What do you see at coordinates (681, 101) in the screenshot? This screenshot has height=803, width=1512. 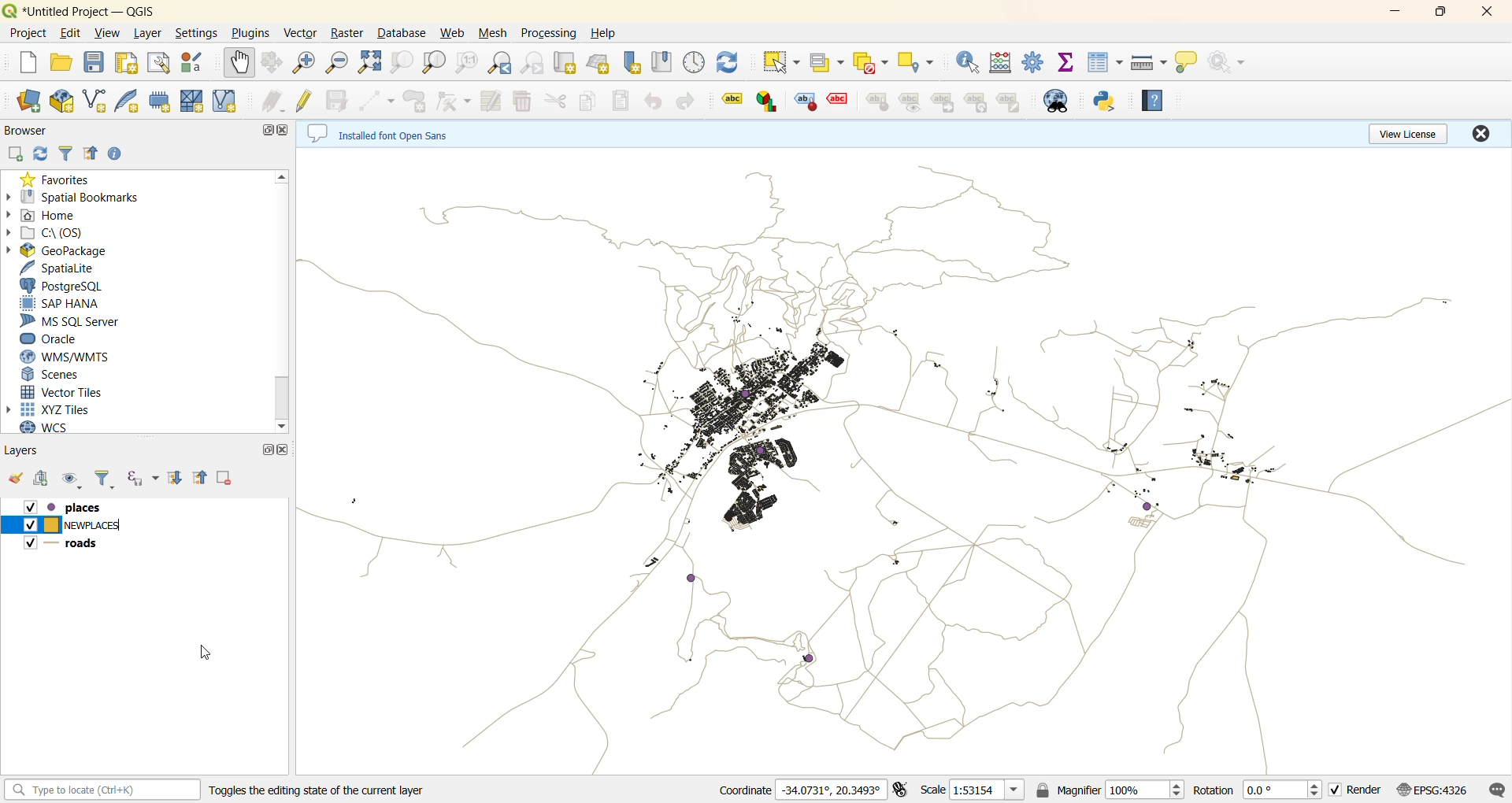 I see `redo` at bounding box center [681, 101].